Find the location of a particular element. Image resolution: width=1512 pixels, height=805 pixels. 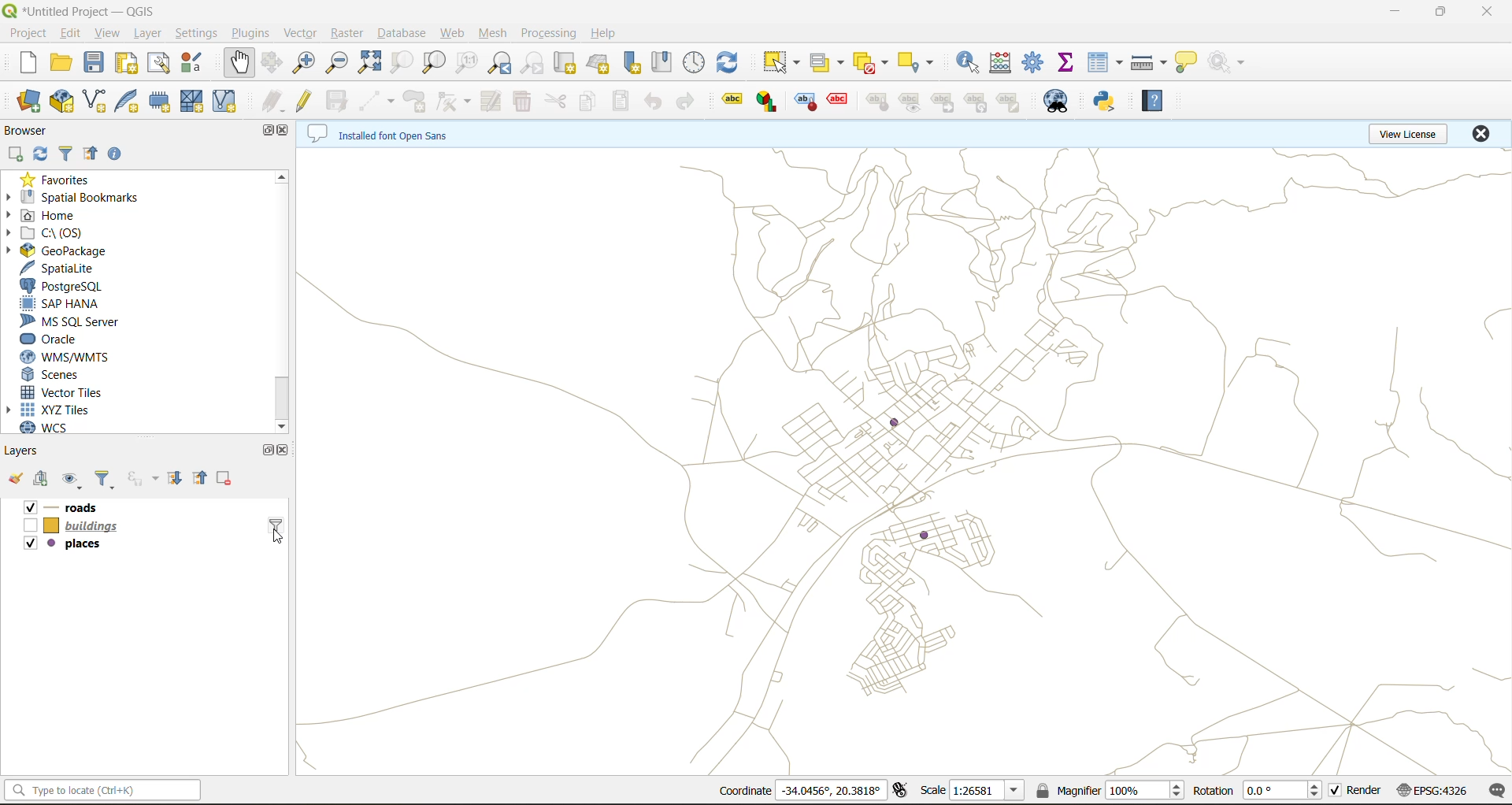

view is located at coordinates (106, 33).